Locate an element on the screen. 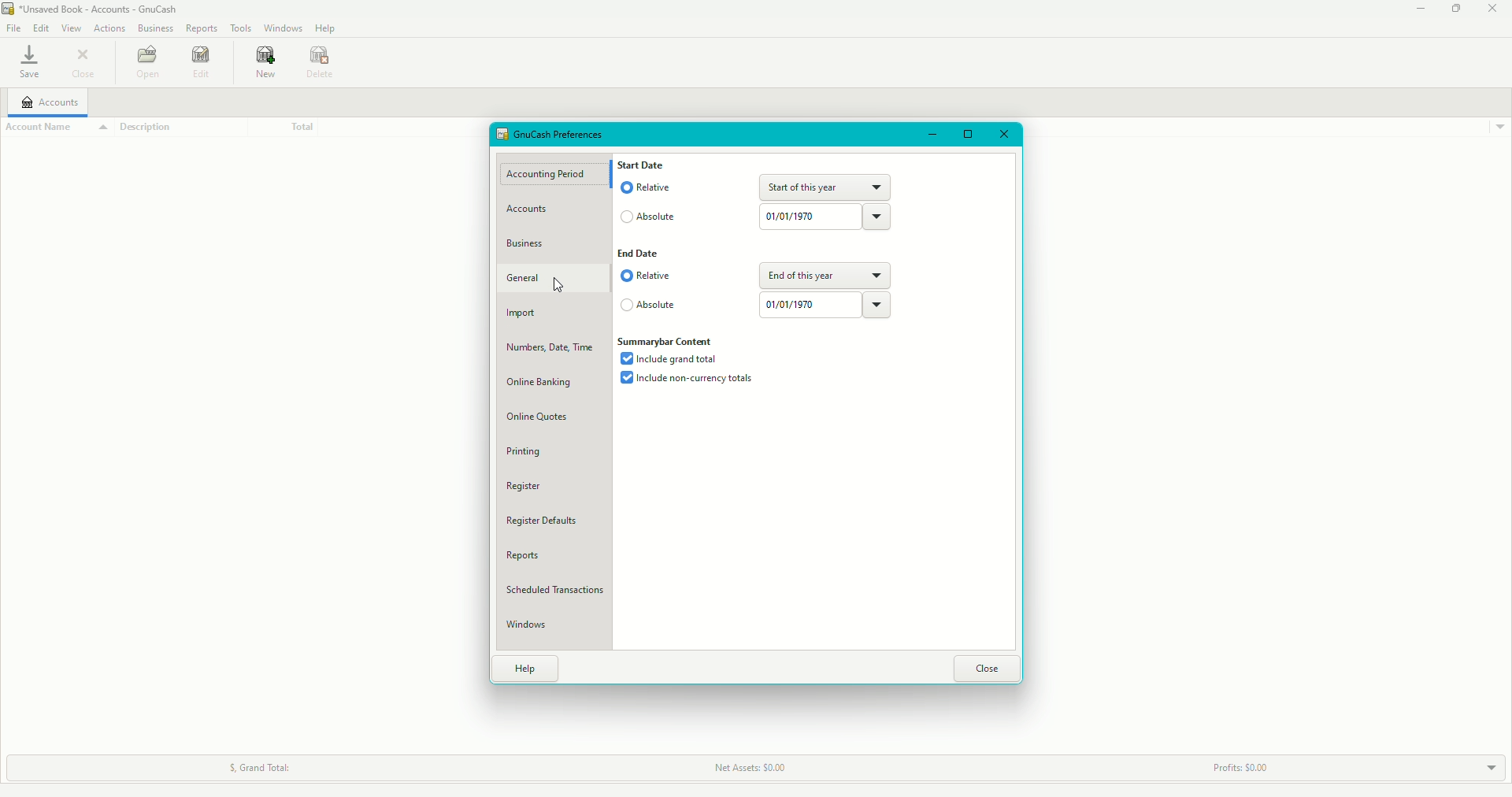 This screenshot has height=797, width=1512. Close is located at coordinates (89, 65).